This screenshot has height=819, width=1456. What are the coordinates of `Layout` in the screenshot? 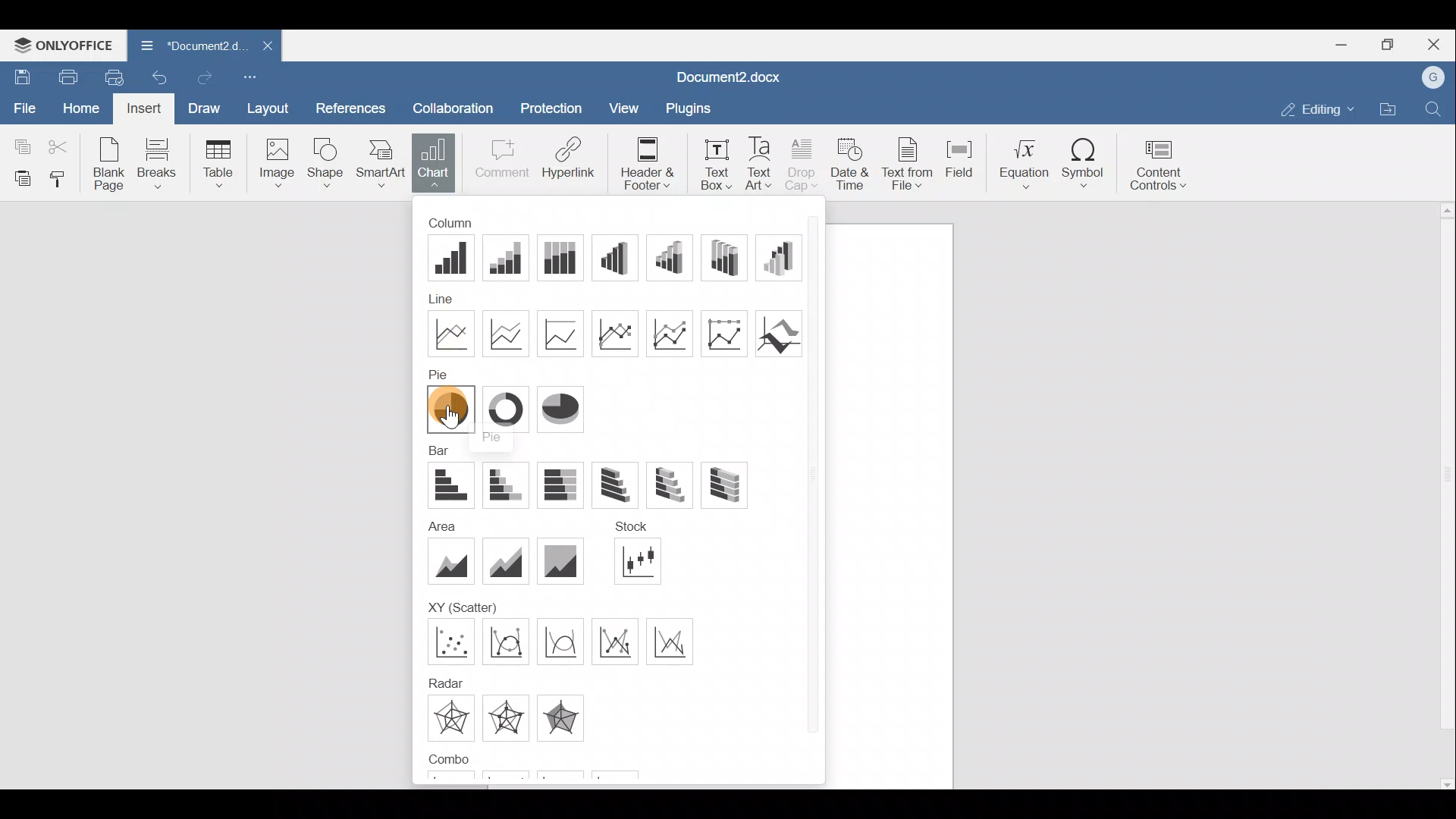 It's located at (268, 110).